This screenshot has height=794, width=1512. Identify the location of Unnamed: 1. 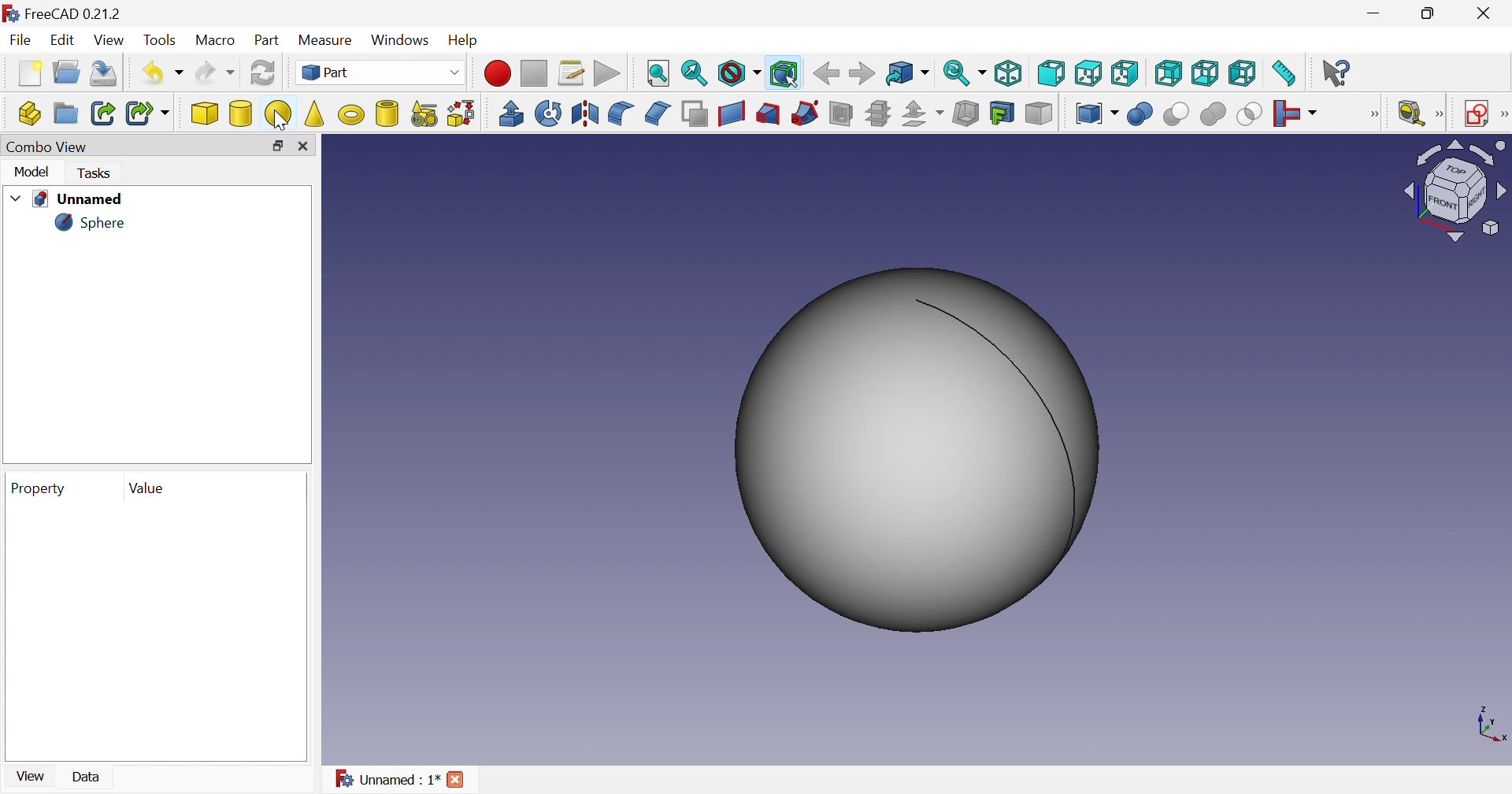
(387, 781).